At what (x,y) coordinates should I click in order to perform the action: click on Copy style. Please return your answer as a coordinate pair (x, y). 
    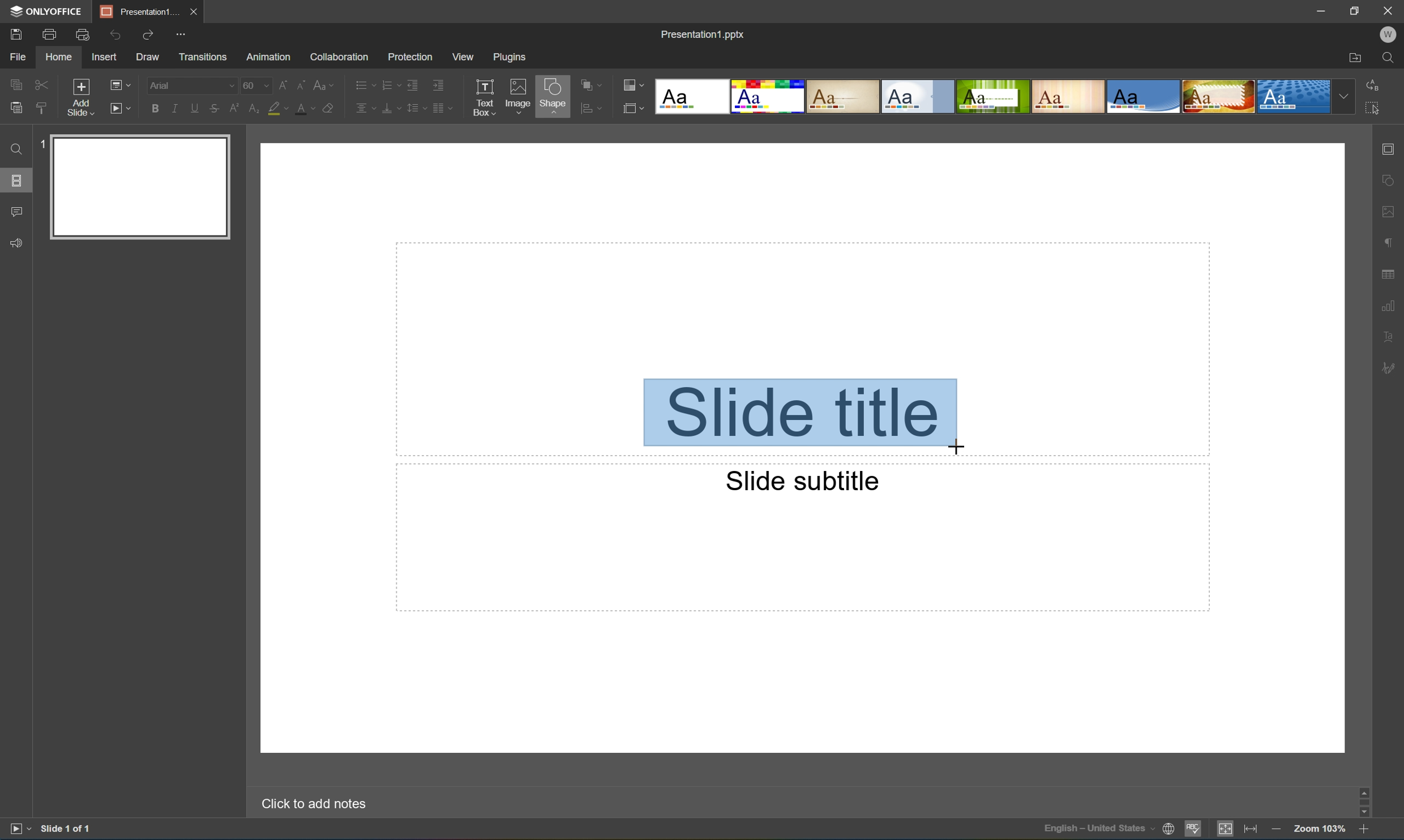
    Looking at the image, I should click on (41, 106).